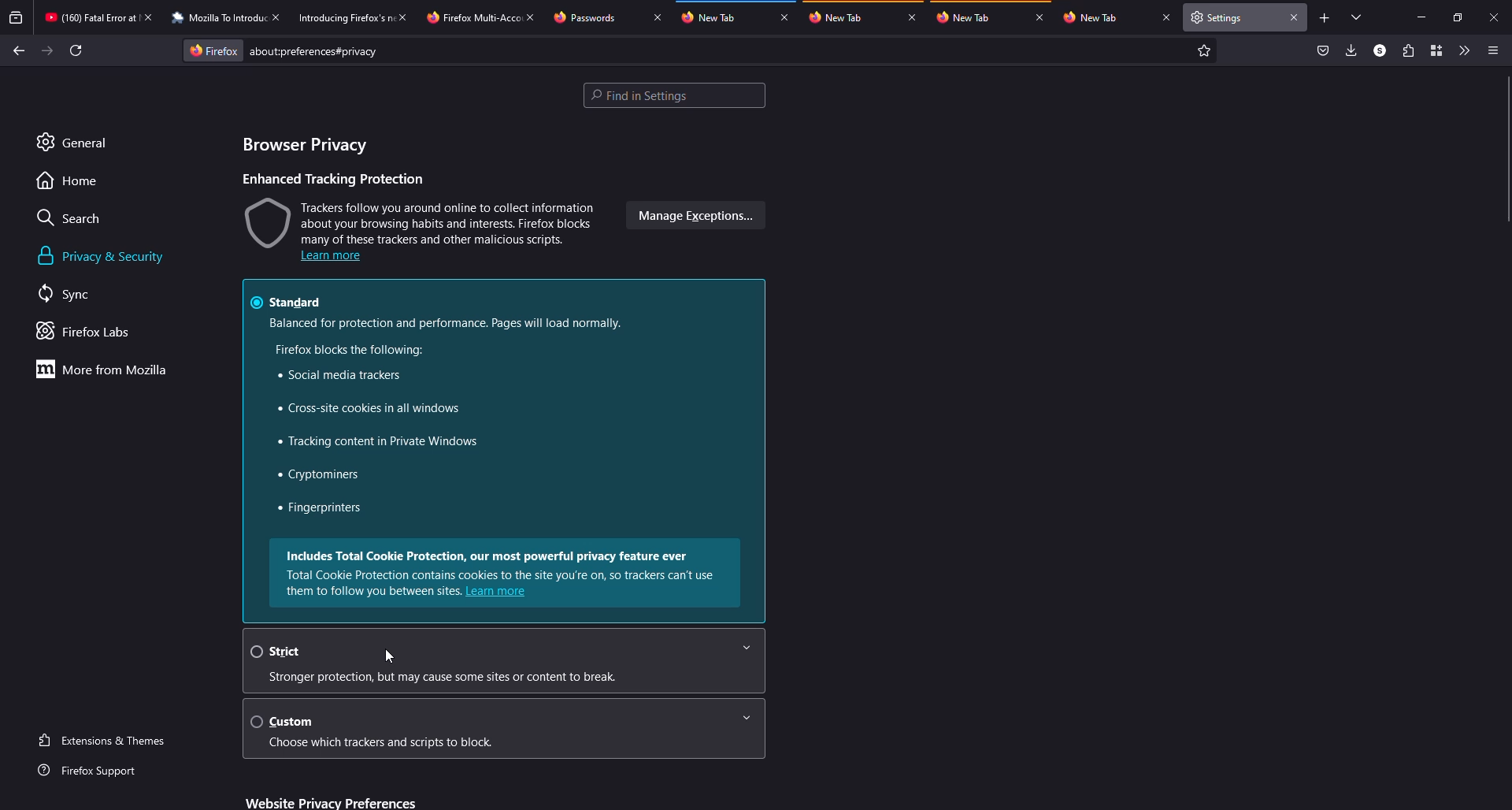 This screenshot has height=810, width=1512. I want to click on menu, so click(1492, 50).